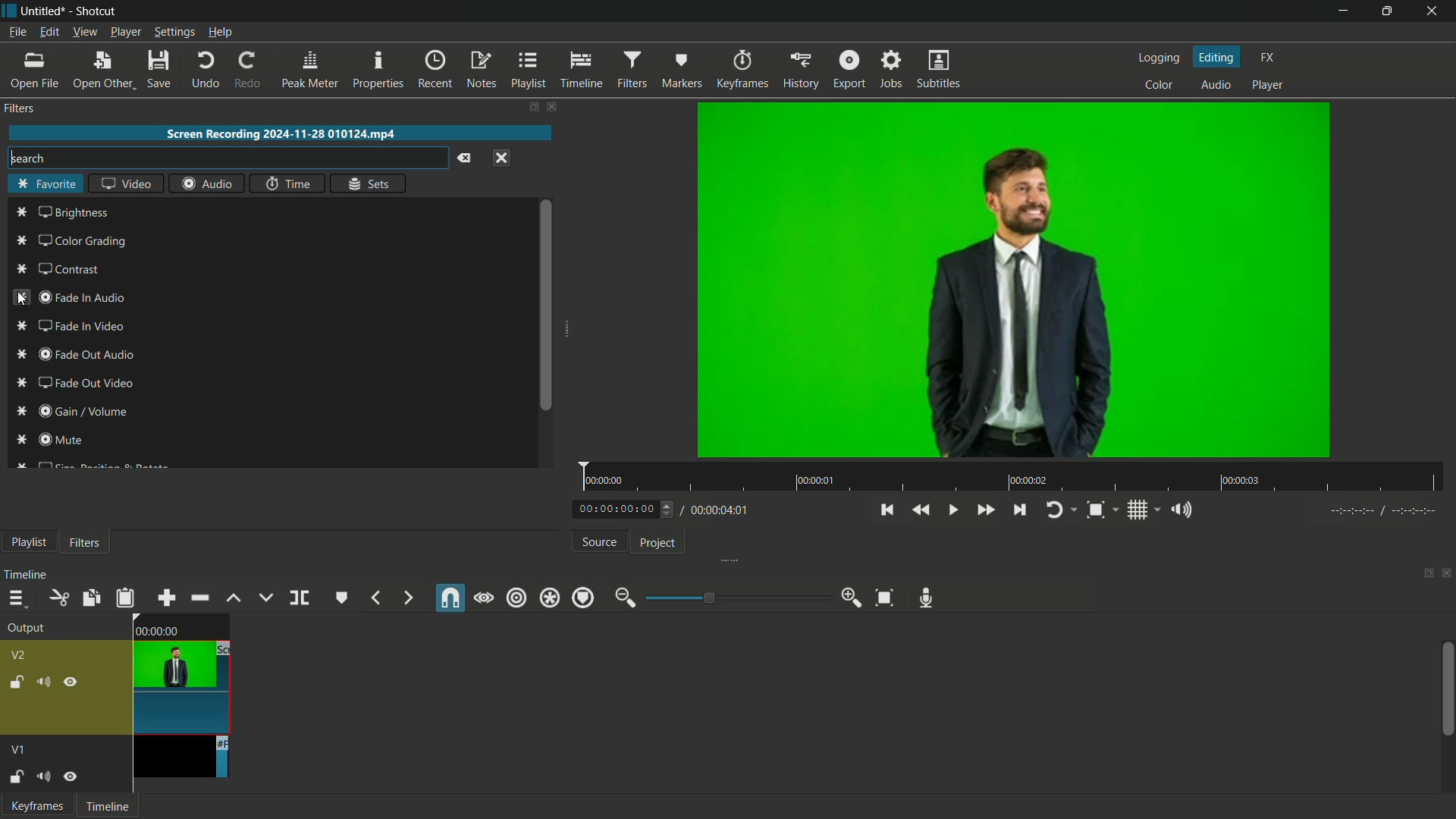 This screenshot has height=819, width=1456. Describe the element at coordinates (940, 69) in the screenshot. I see `subtitles` at that location.